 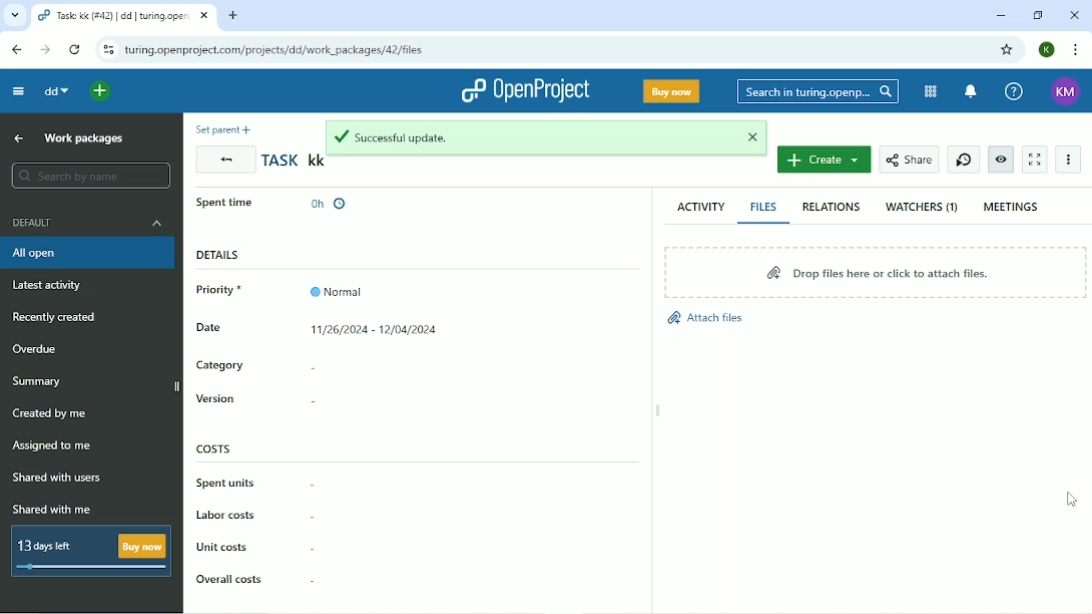 What do you see at coordinates (107, 50) in the screenshot?
I see `View site information` at bounding box center [107, 50].